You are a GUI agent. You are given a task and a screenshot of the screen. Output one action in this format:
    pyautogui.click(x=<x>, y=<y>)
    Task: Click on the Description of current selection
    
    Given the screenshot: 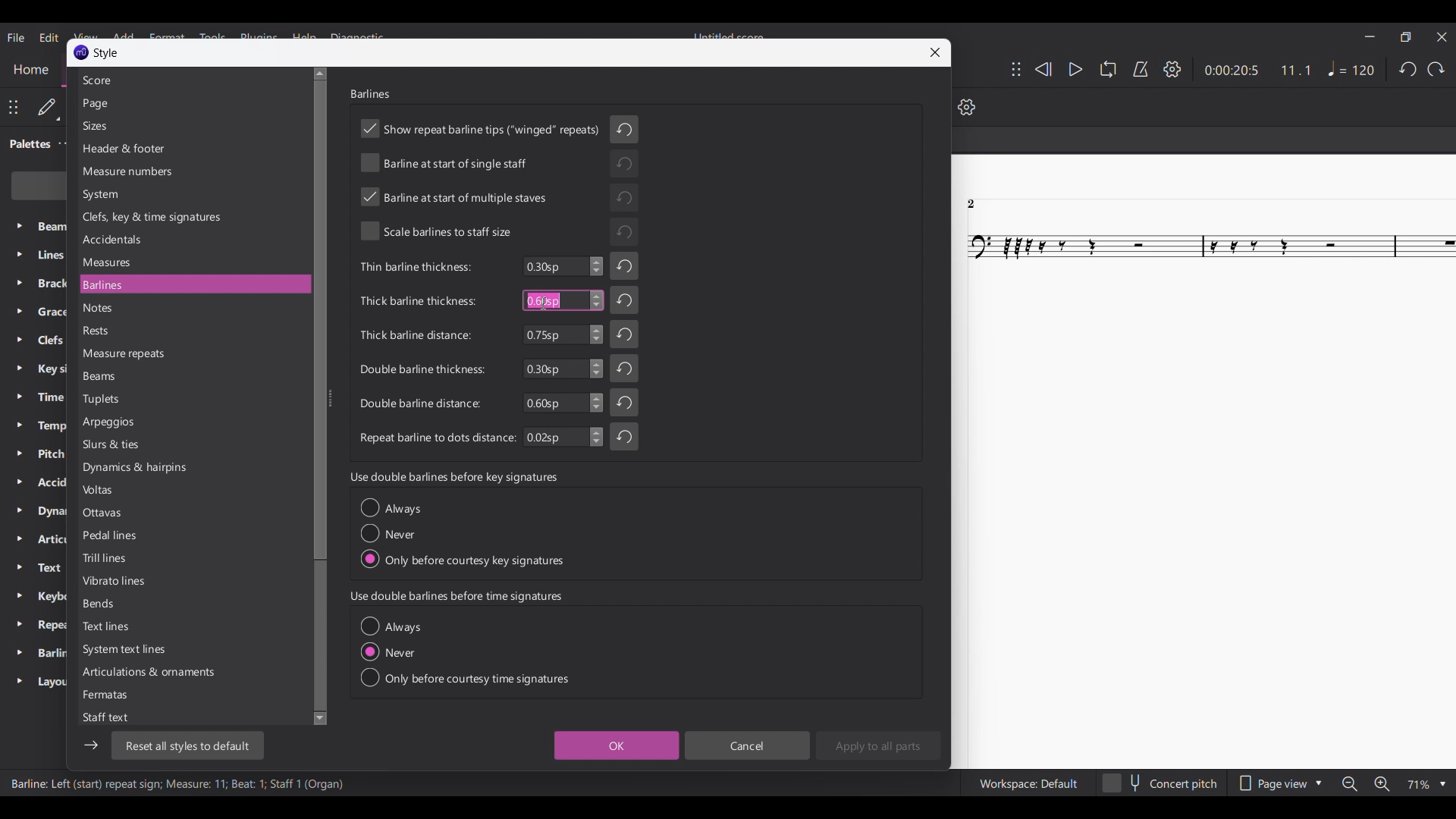 What is the action you would take?
    pyautogui.click(x=178, y=783)
    